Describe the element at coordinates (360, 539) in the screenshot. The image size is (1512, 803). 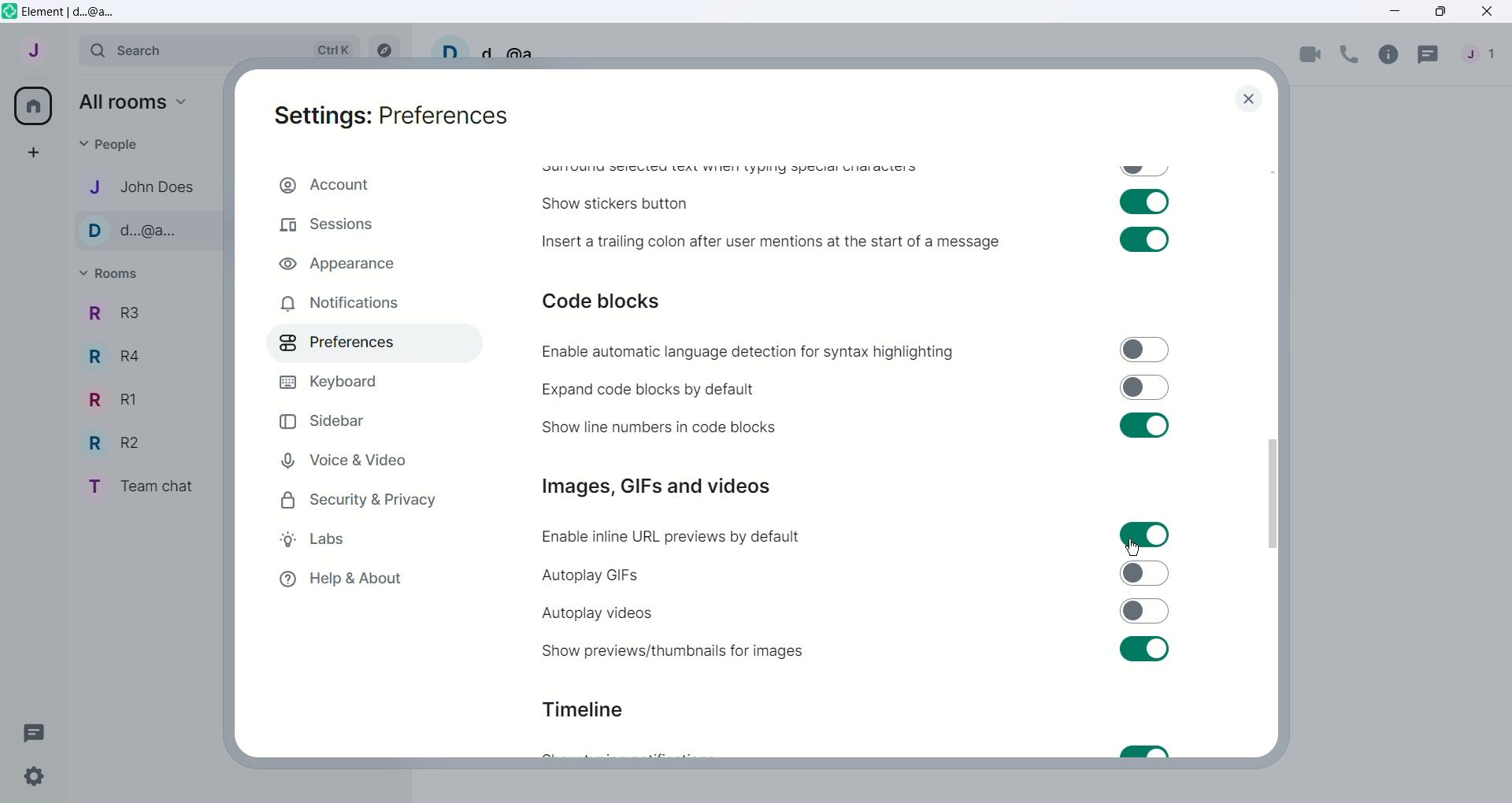
I see `Labs` at that location.